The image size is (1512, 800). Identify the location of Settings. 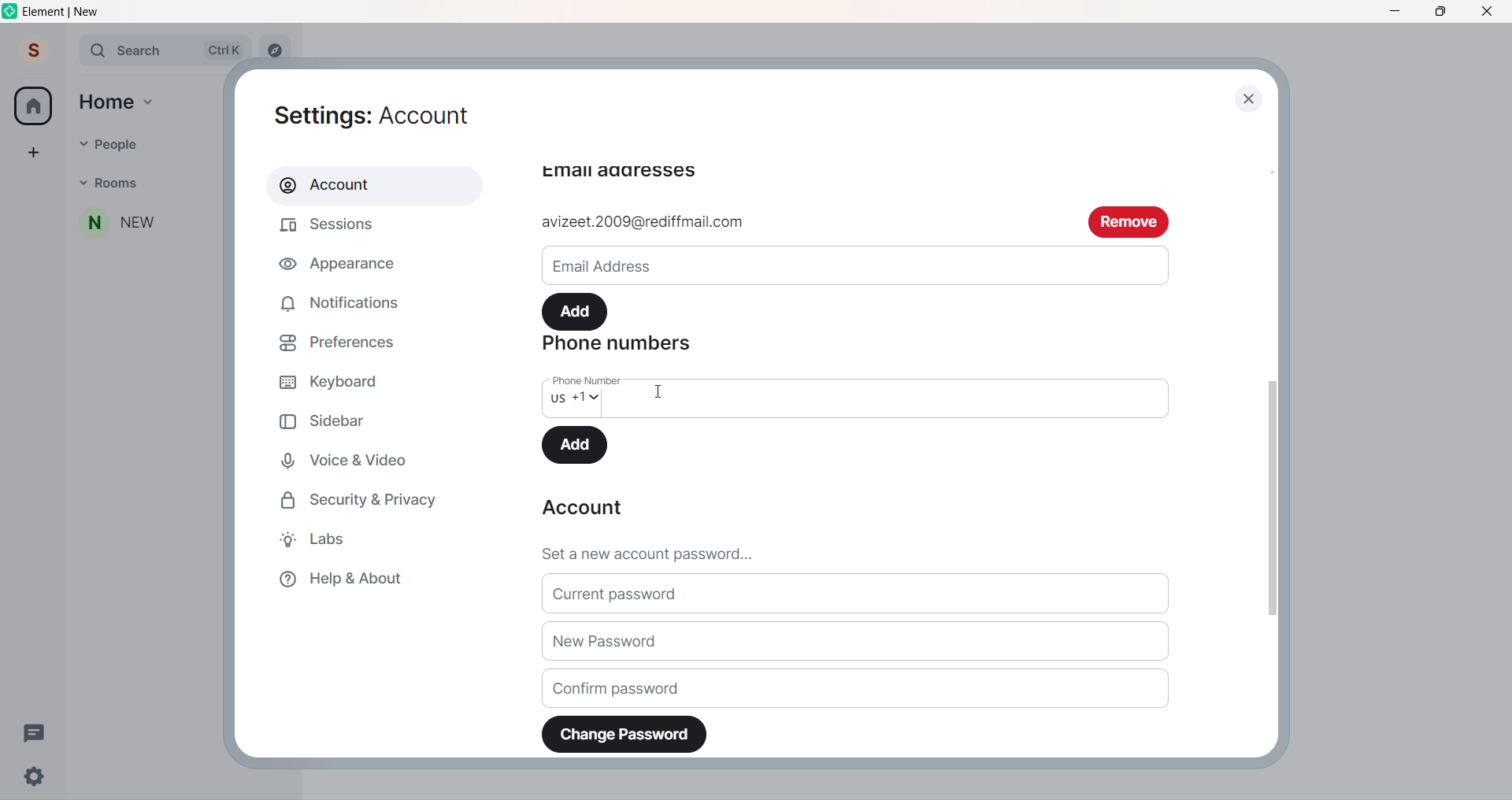
(384, 113).